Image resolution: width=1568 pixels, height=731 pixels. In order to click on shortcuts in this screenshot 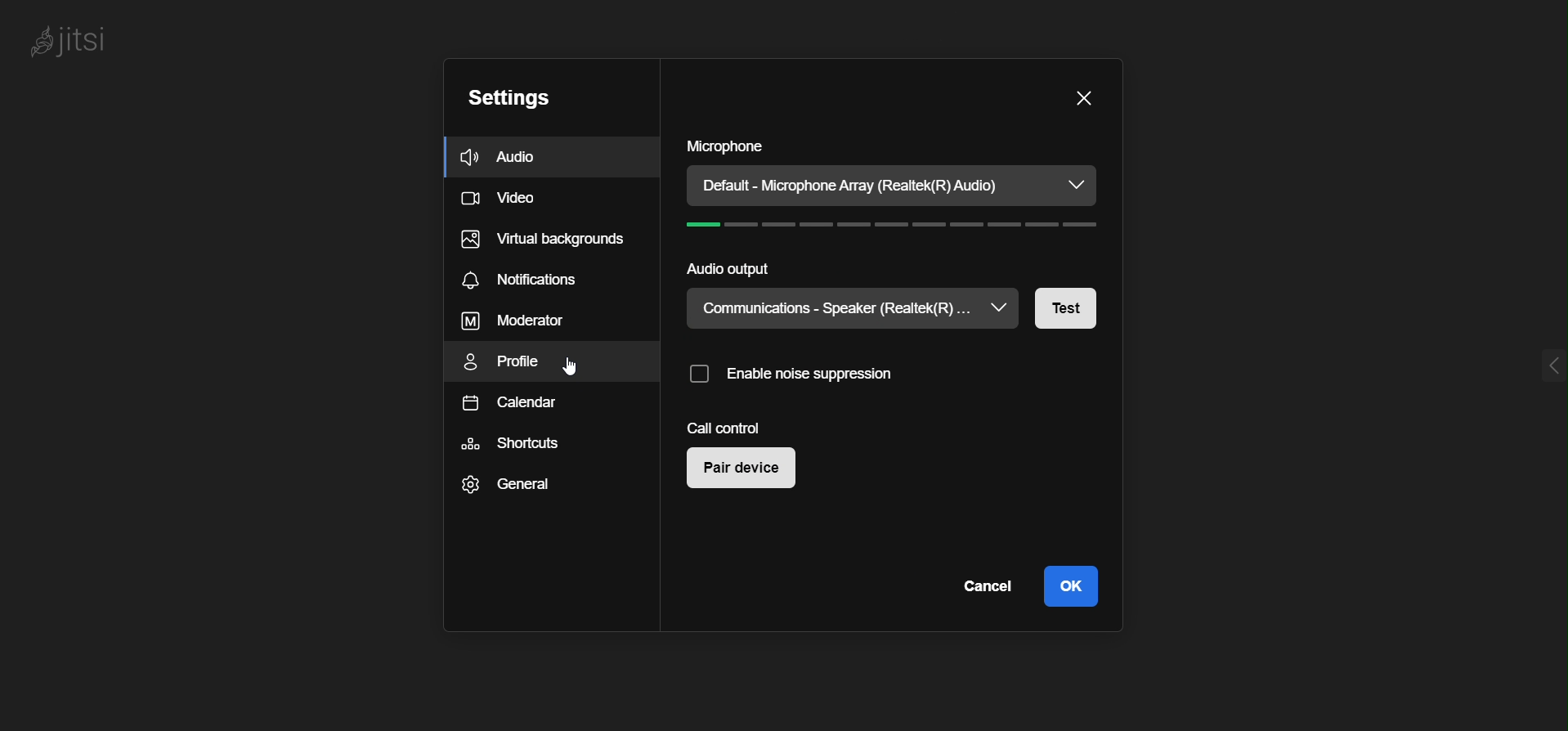, I will do `click(513, 446)`.